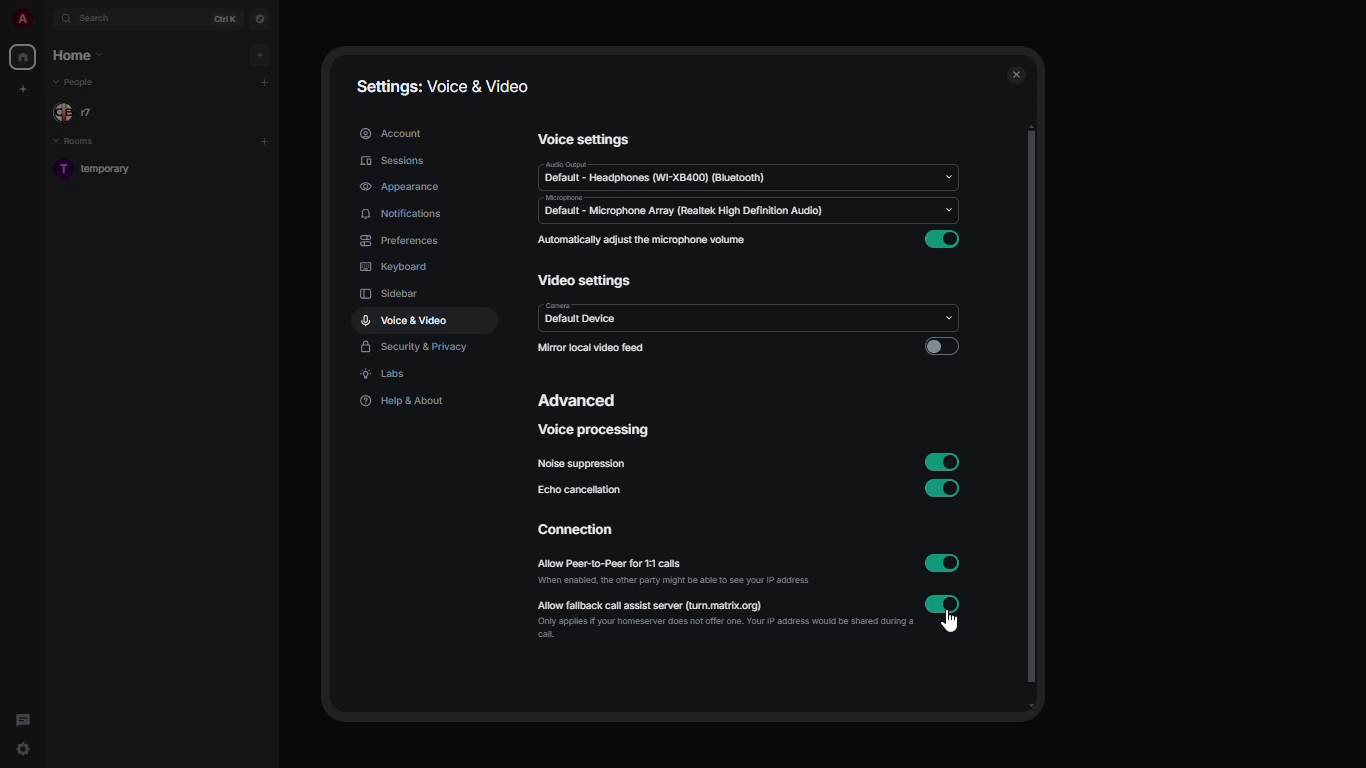  What do you see at coordinates (641, 239) in the screenshot?
I see `automatically adjust the microphone volume` at bounding box center [641, 239].